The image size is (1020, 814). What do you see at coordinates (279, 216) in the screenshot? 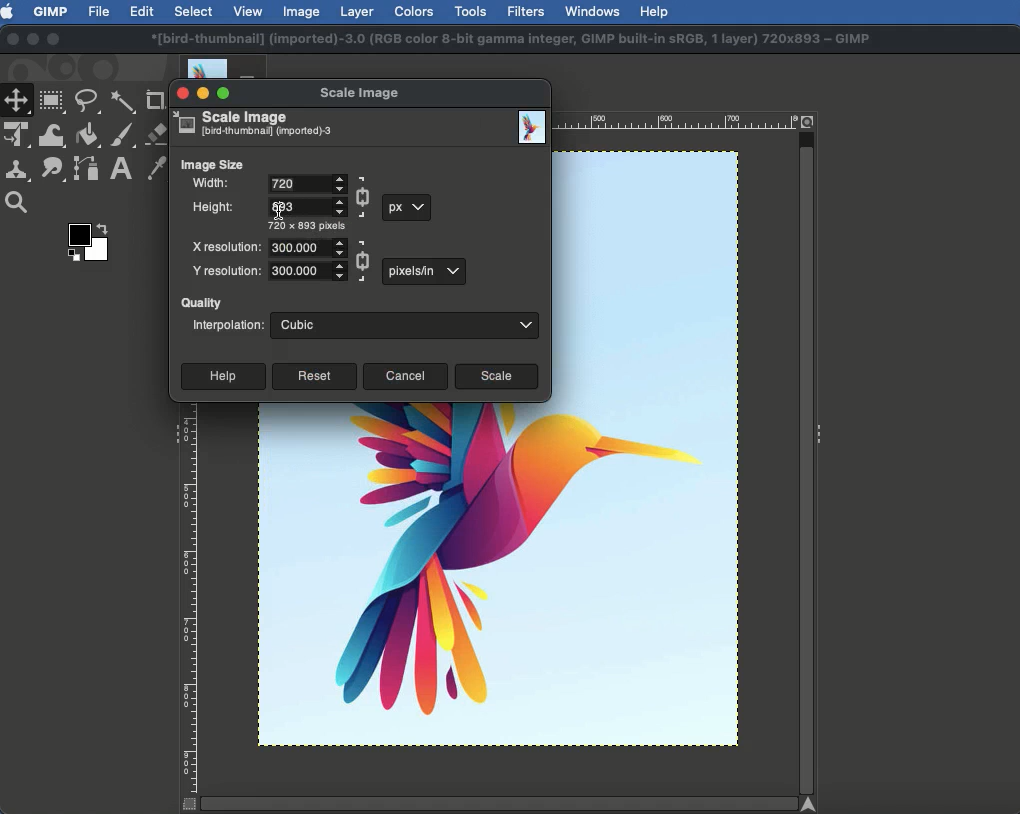
I see `cursor` at bounding box center [279, 216].